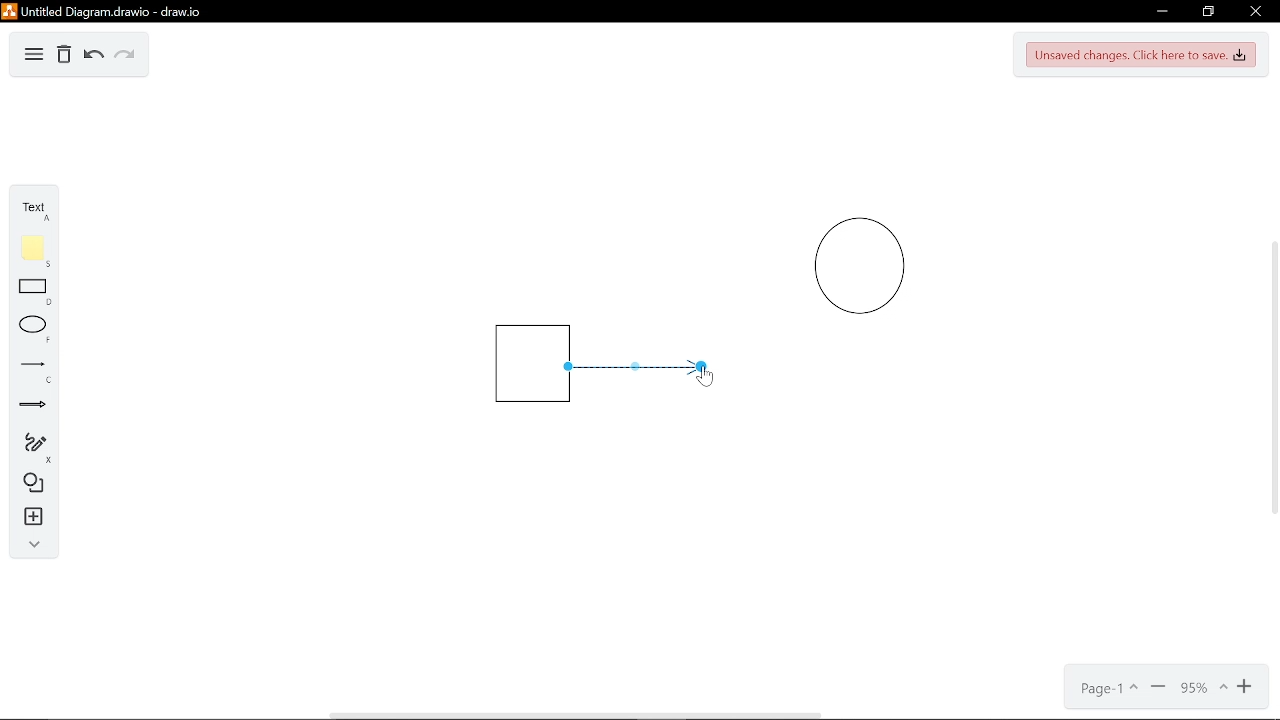  What do you see at coordinates (30, 368) in the screenshot?
I see `Line` at bounding box center [30, 368].